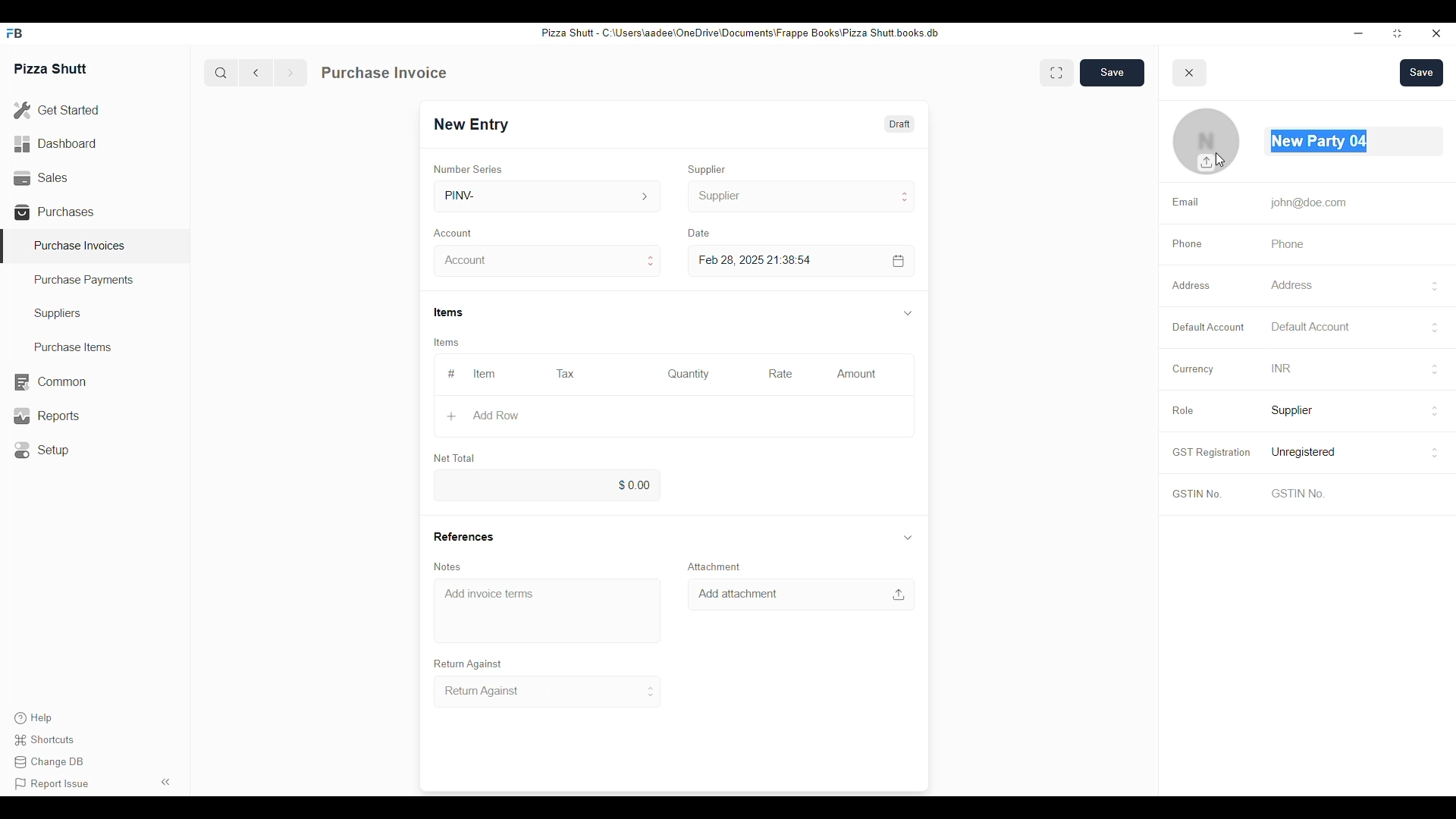  What do you see at coordinates (1317, 140) in the screenshot?
I see `New Party 05` at bounding box center [1317, 140].